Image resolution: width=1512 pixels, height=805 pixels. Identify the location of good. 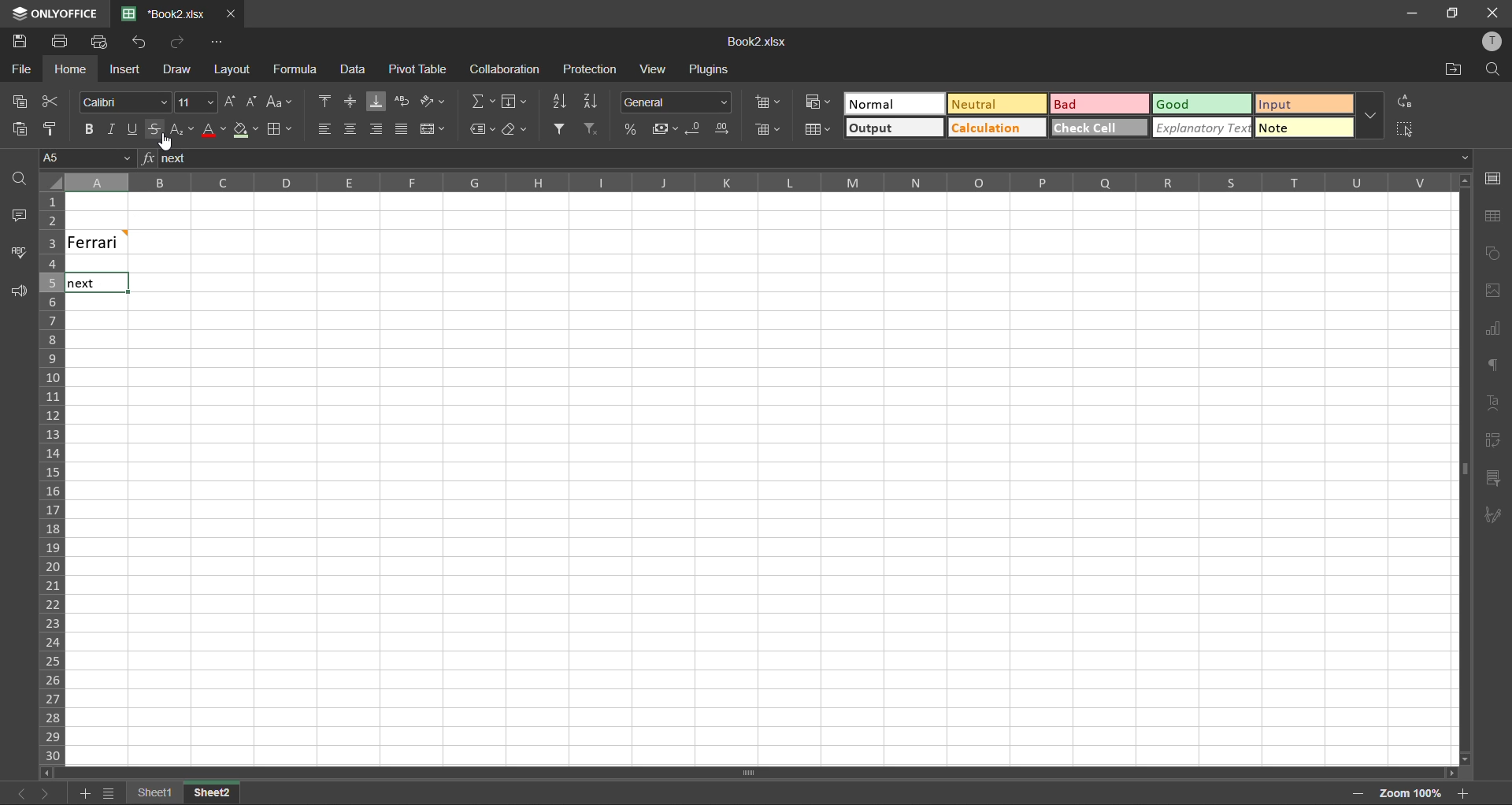
(1198, 105).